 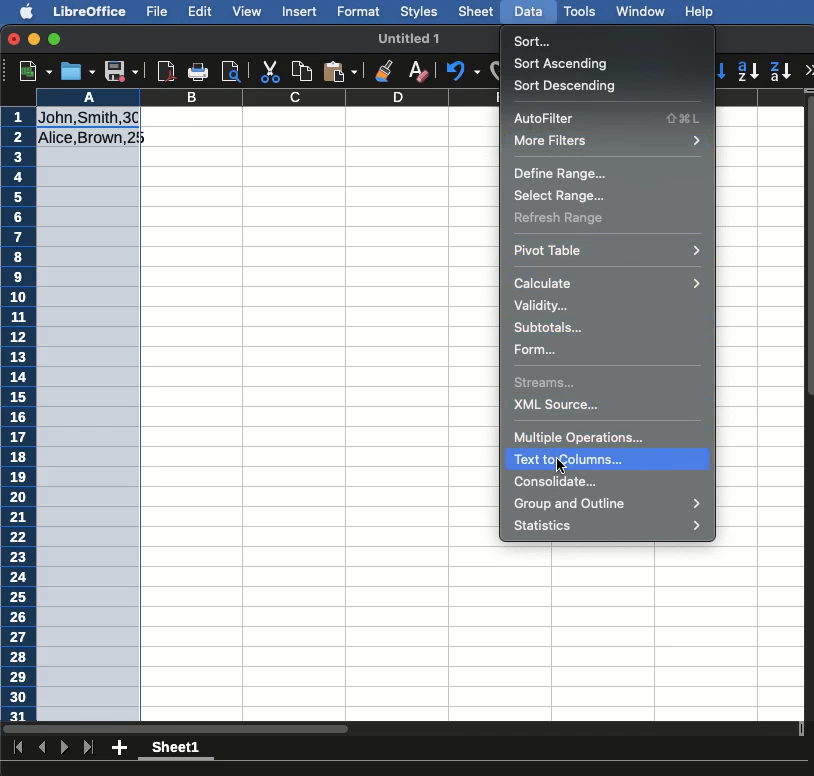 What do you see at coordinates (118, 748) in the screenshot?
I see `Add new sheet` at bounding box center [118, 748].